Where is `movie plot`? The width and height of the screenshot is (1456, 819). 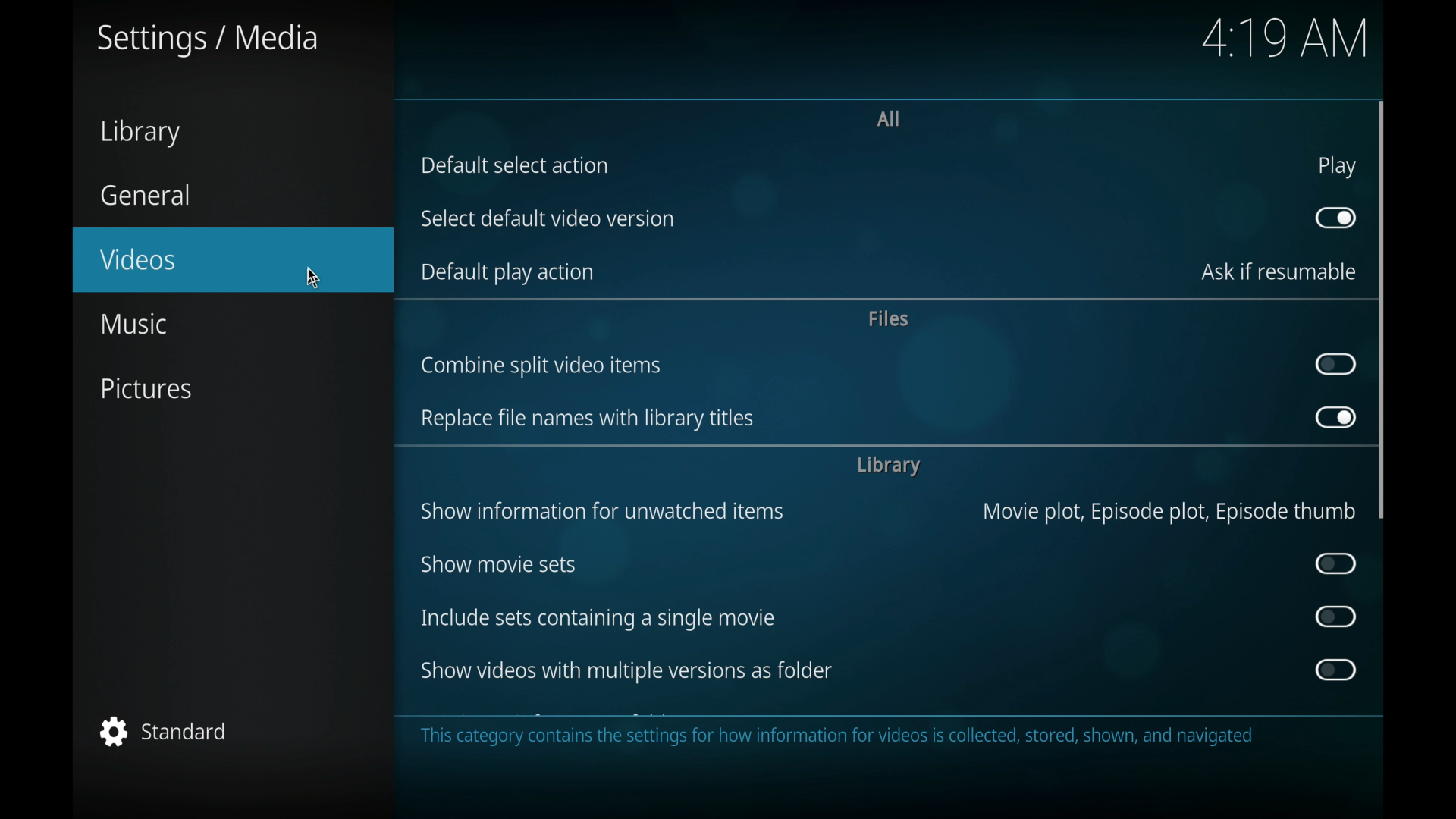 movie plot is located at coordinates (1169, 513).